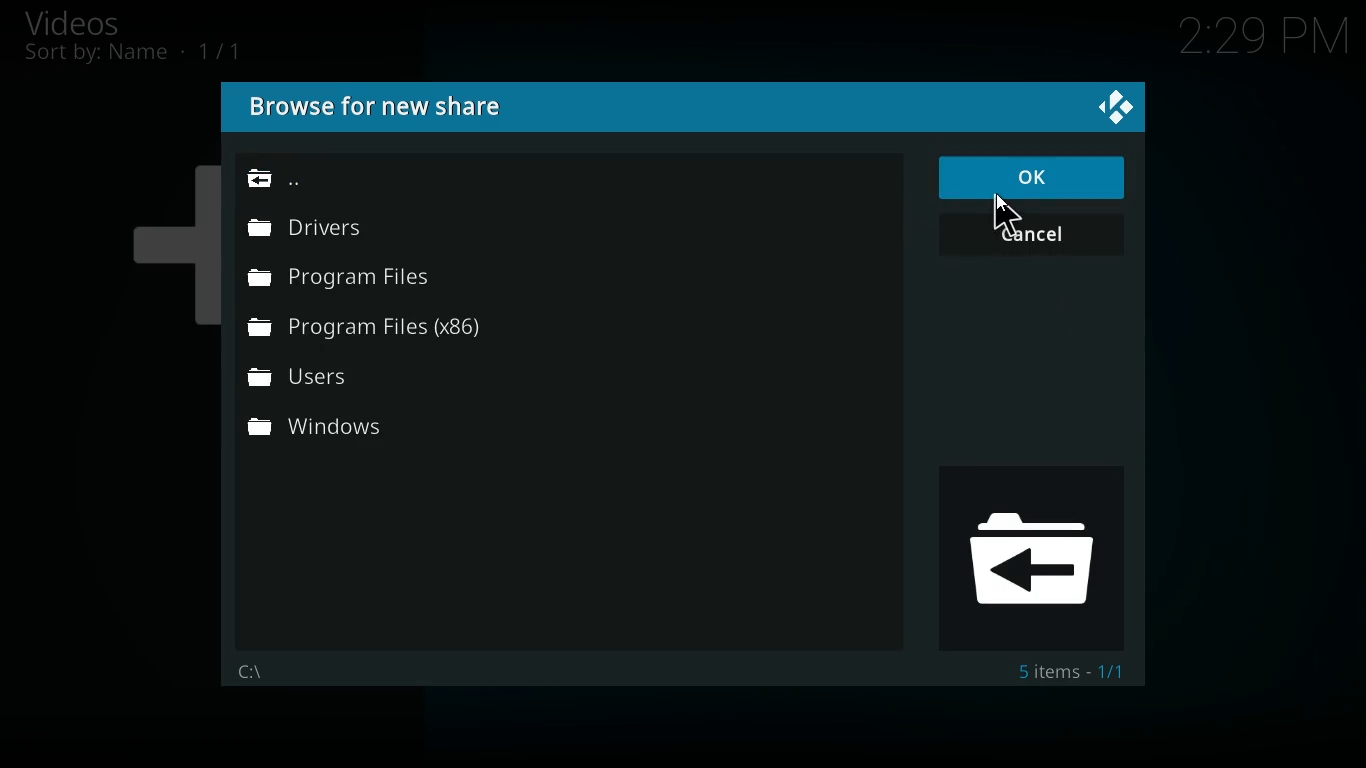 This screenshot has width=1366, height=768. Describe the element at coordinates (1037, 559) in the screenshot. I see `back symbol` at that location.